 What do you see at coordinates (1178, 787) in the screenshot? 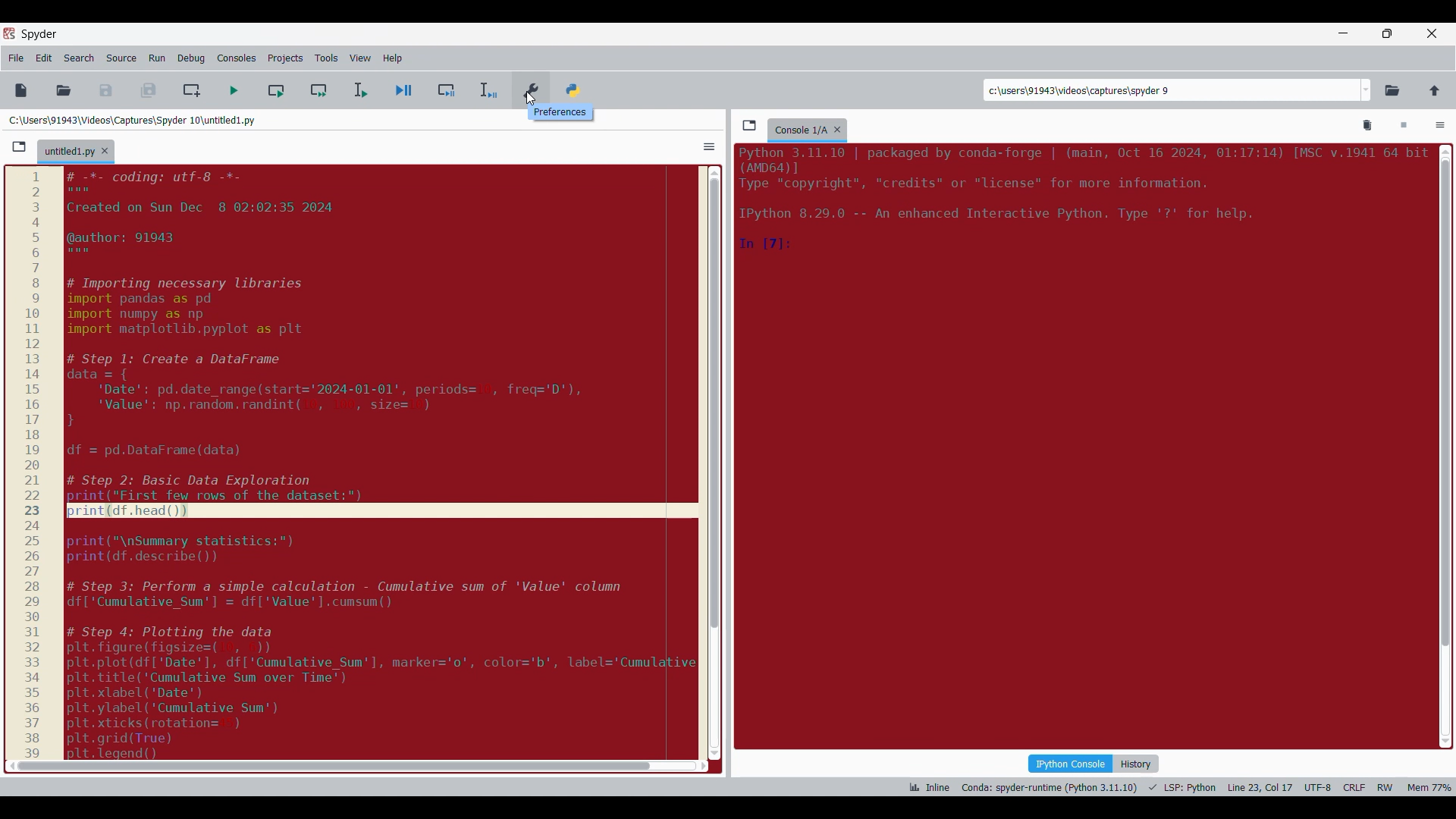
I see `Code details` at bounding box center [1178, 787].